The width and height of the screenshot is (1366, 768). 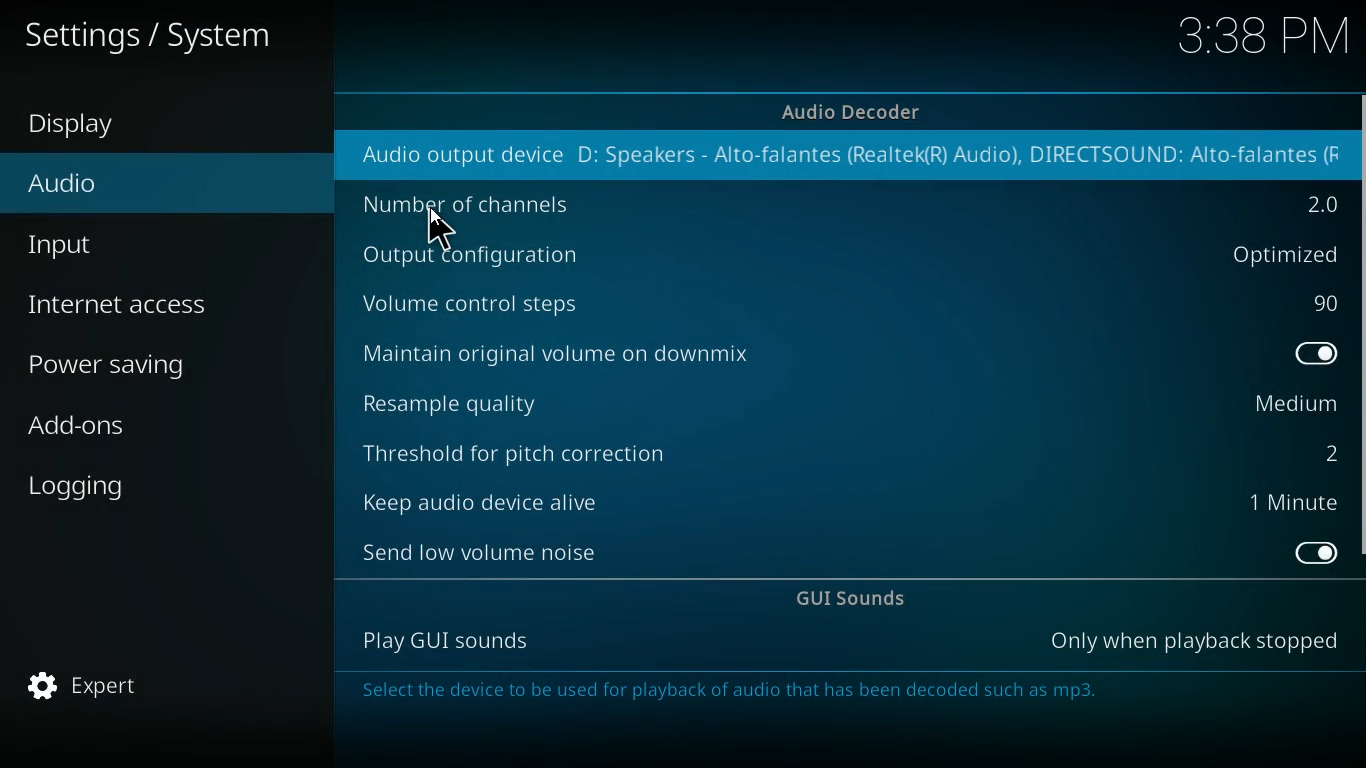 What do you see at coordinates (143, 430) in the screenshot?
I see `add-ons` at bounding box center [143, 430].